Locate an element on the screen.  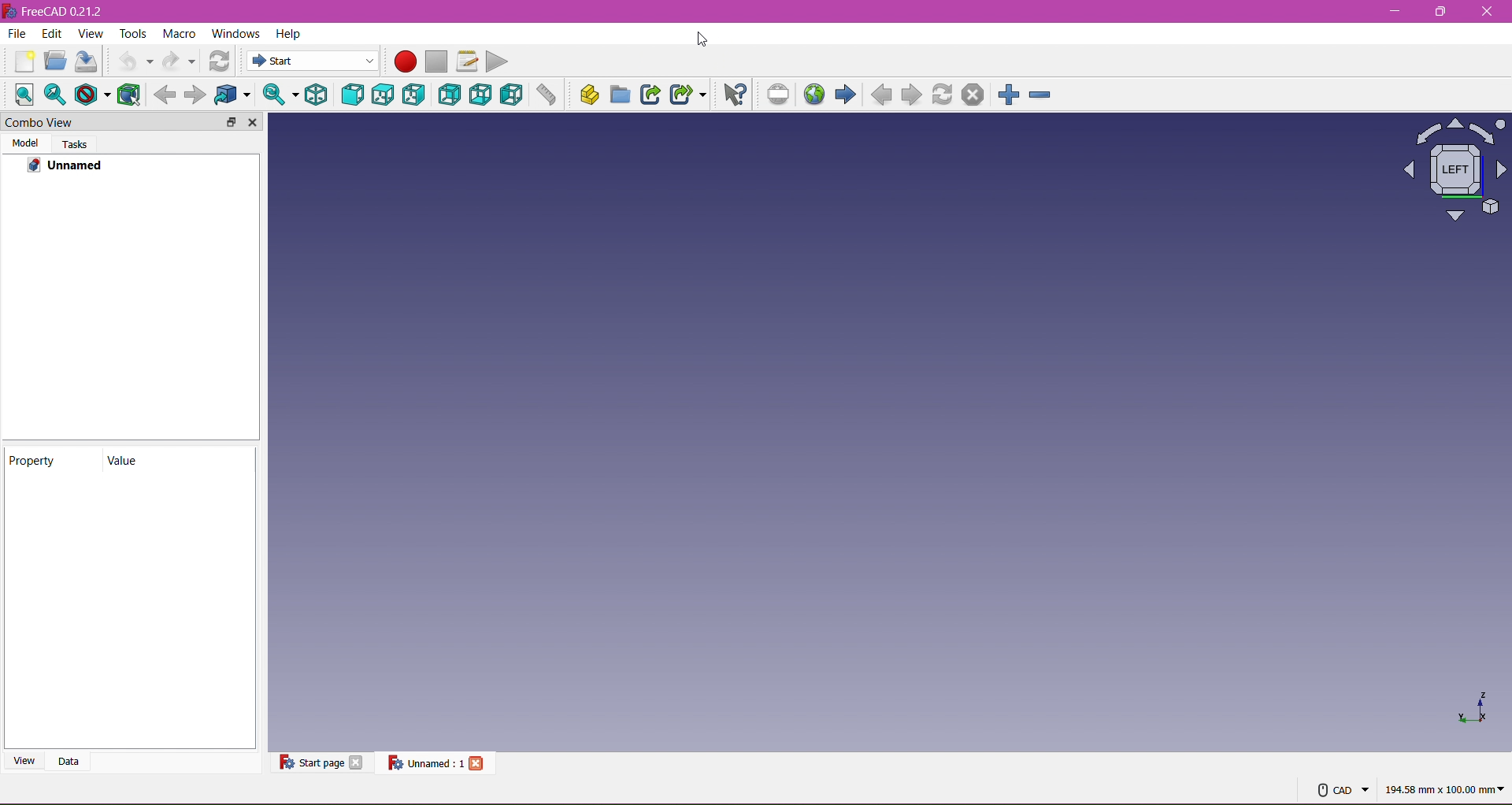
Rear is located at coordinates (449, 95).